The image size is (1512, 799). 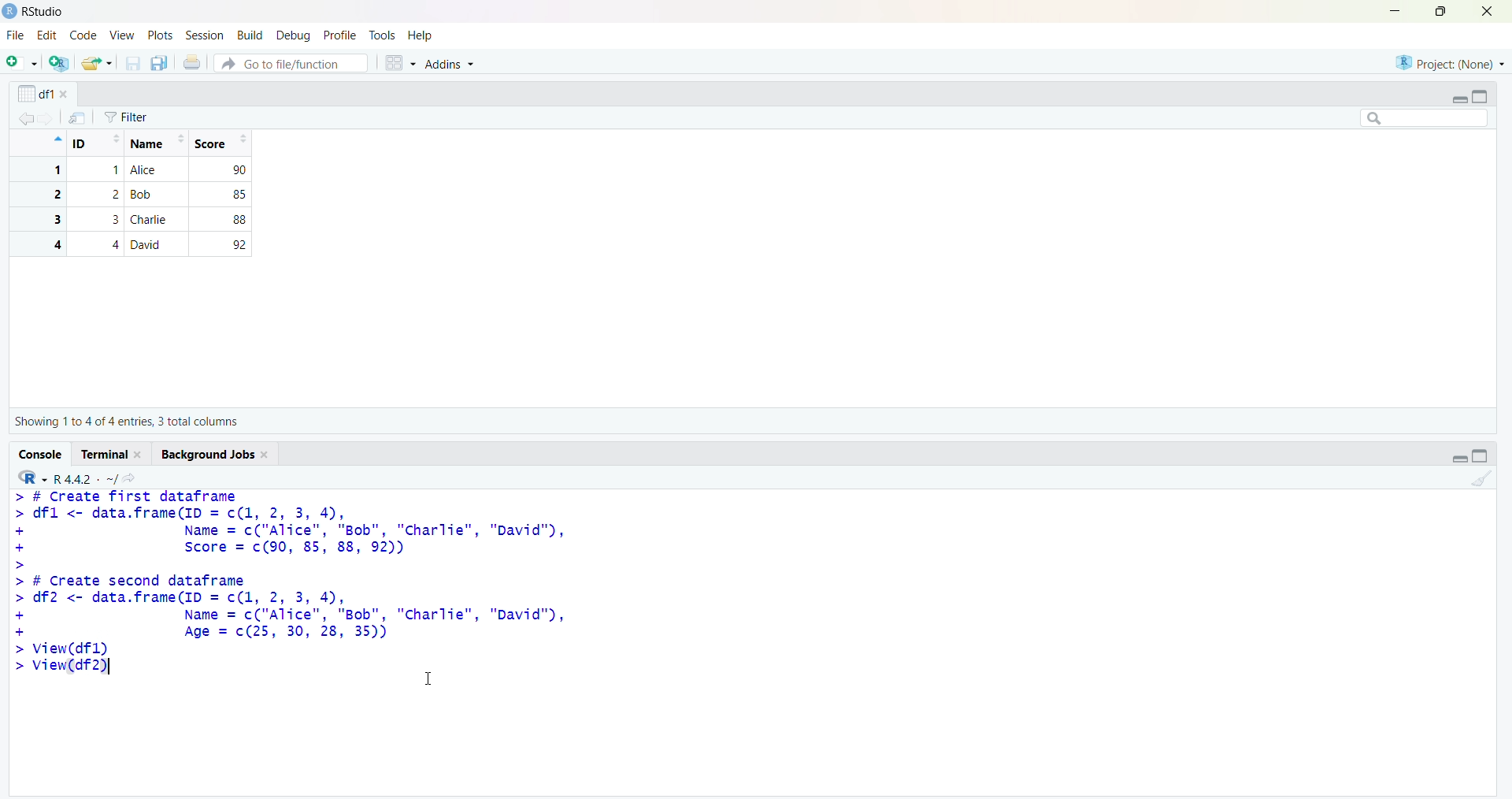 What do you see at coordinates (162, 36) in the screenshot?
I see `plots` at bounding box center [162, 36].